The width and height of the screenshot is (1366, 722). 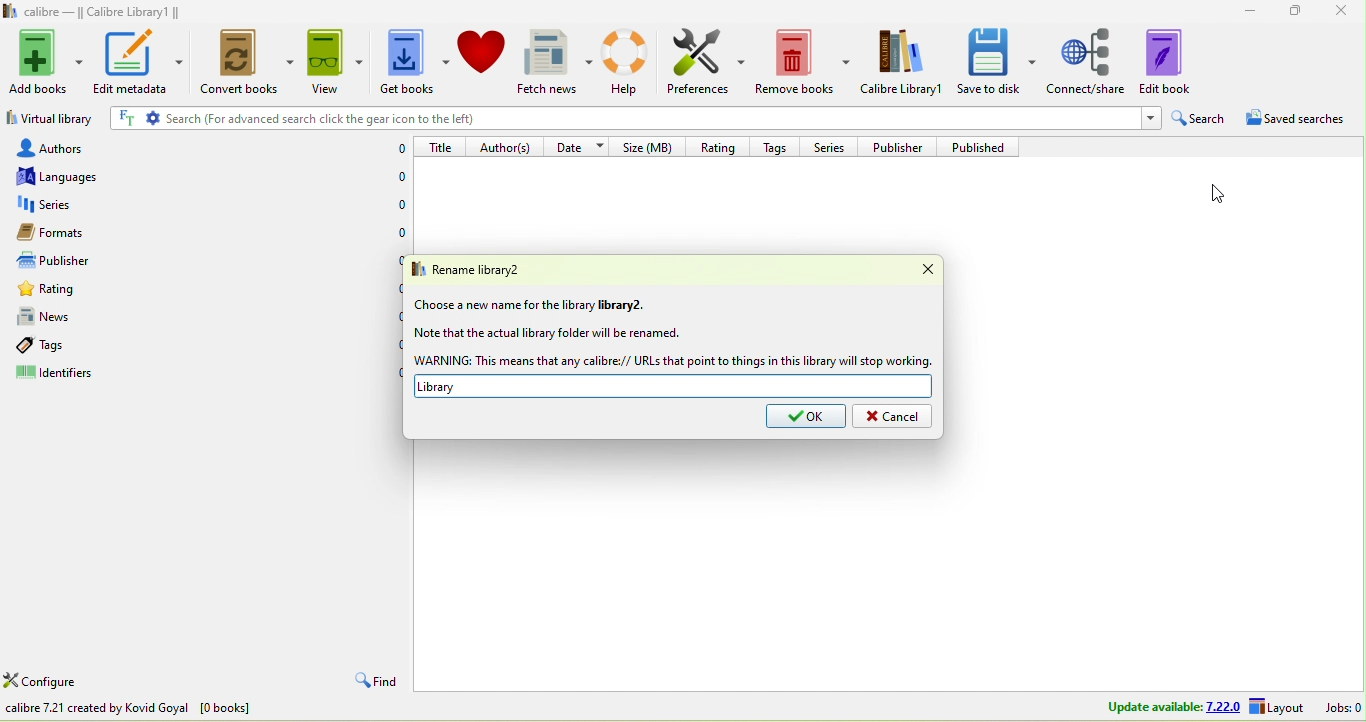 I want to click on help, so click(x=630, y=61).